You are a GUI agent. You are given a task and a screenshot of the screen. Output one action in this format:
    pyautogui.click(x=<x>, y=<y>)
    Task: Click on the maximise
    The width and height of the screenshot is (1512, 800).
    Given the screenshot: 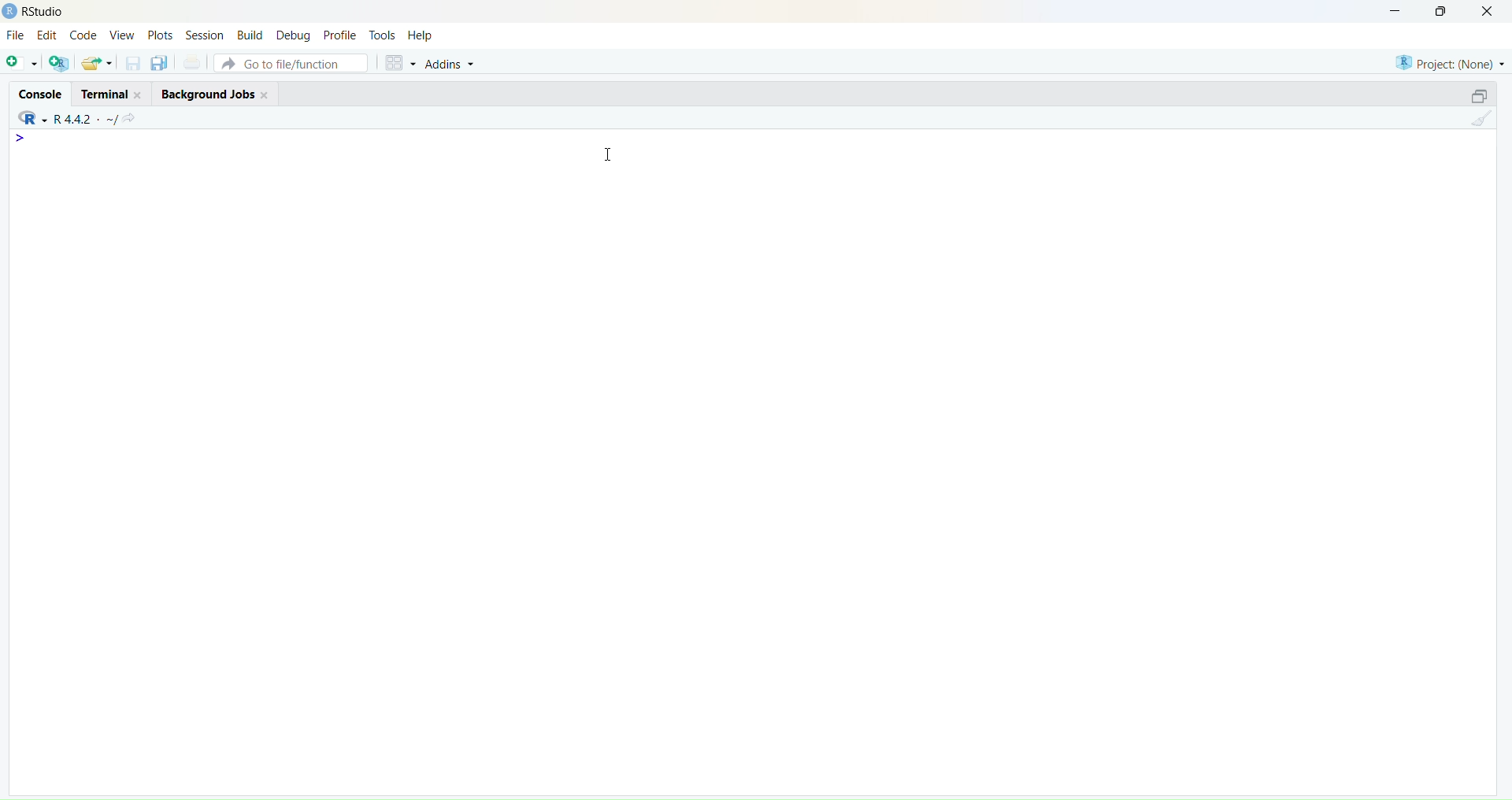 What is the action you would take?
    pyautogui.click(x=1471, y=94)
    